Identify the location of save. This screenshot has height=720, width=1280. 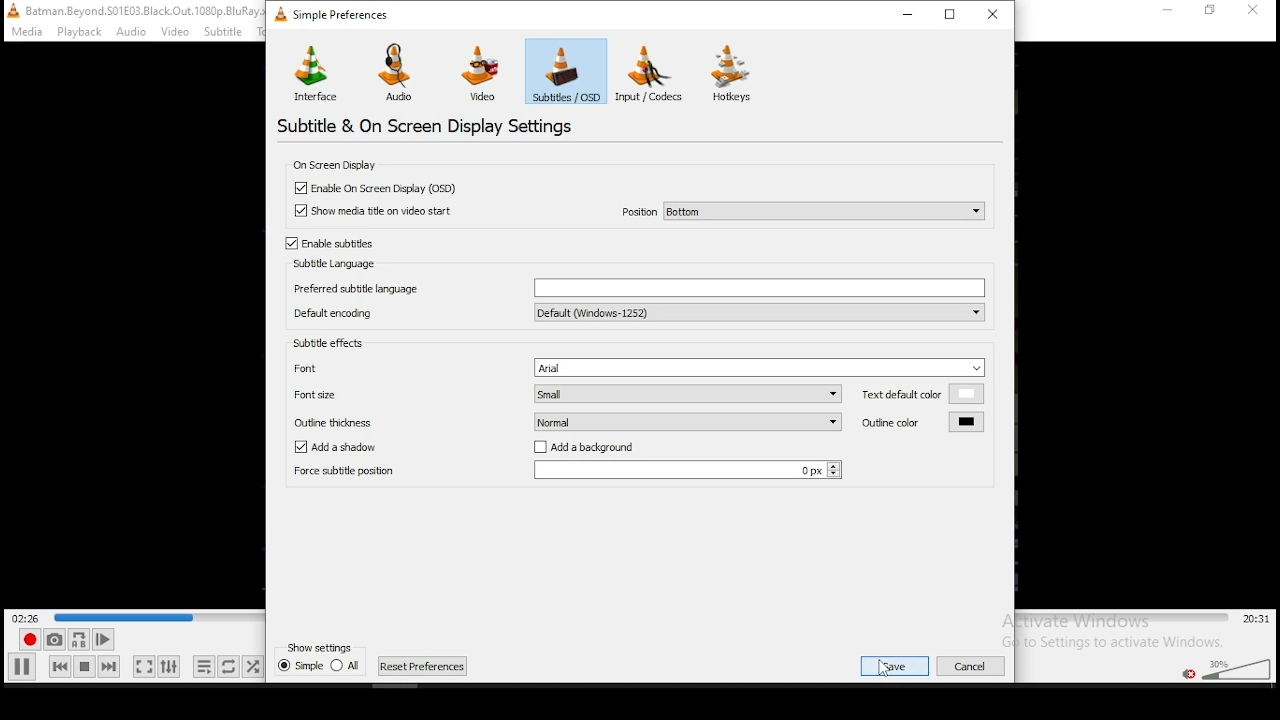
(894, 664).